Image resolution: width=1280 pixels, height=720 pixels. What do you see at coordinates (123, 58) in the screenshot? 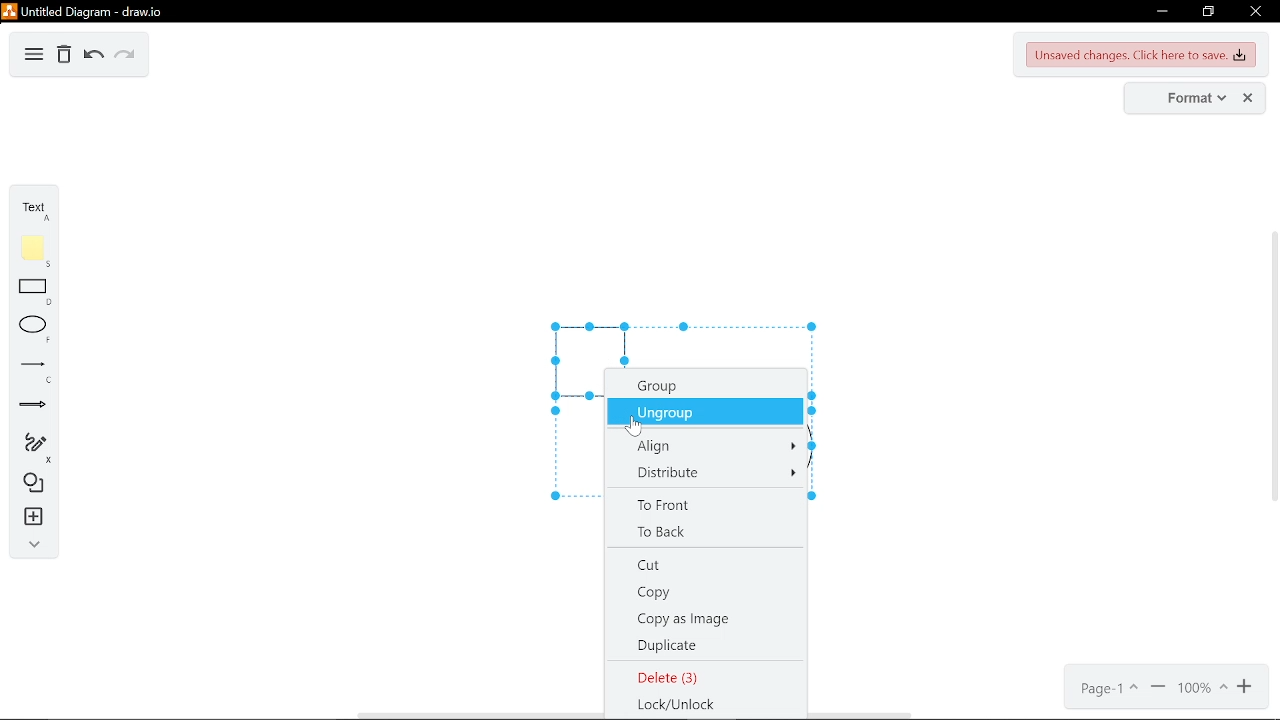
I see `redo` at bounding box center [123, 58].